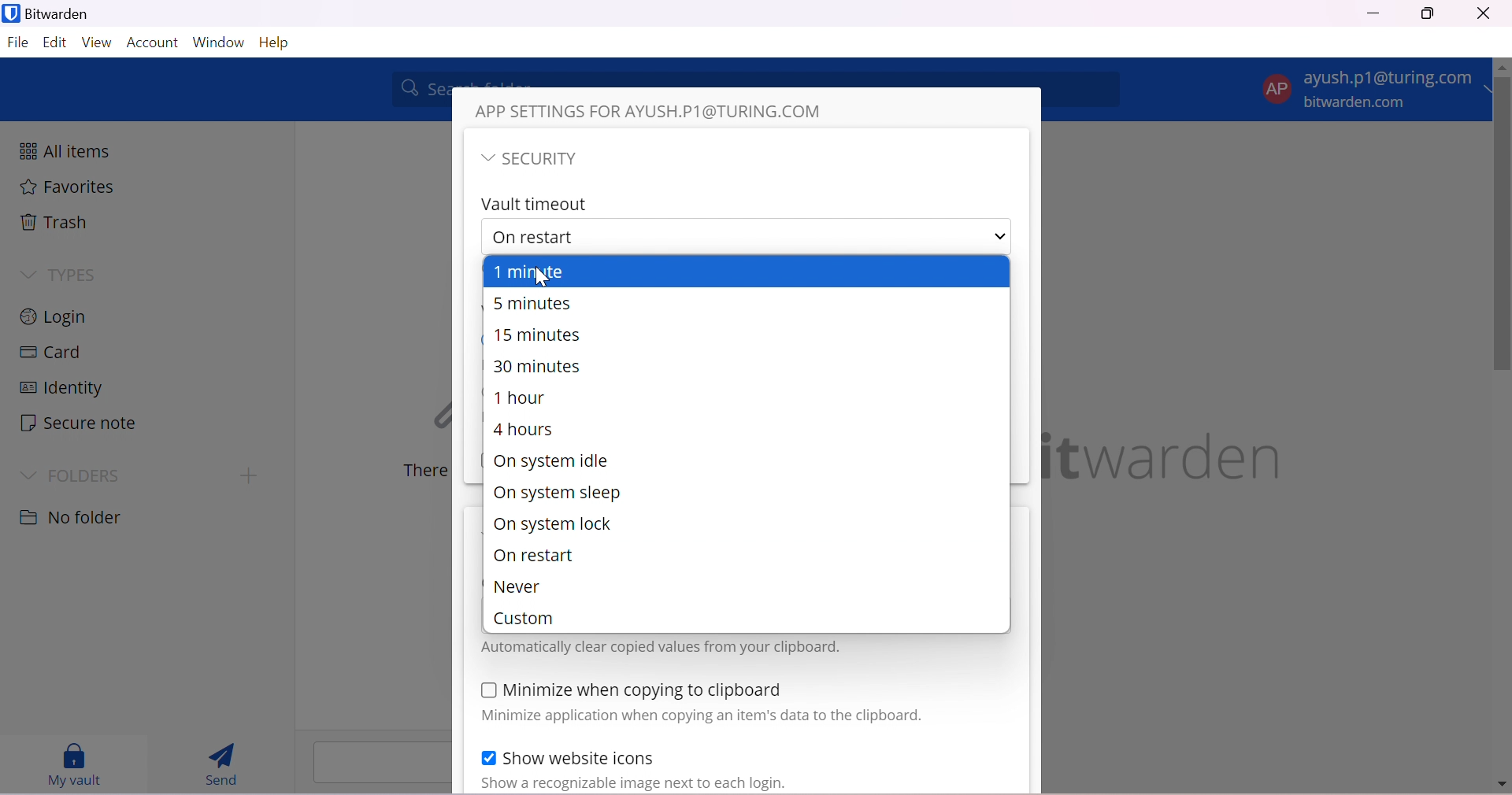  What do you see at coordinates (78, 423) in the screenshot?
I see `Secure note` at bounding box center [78, 423].